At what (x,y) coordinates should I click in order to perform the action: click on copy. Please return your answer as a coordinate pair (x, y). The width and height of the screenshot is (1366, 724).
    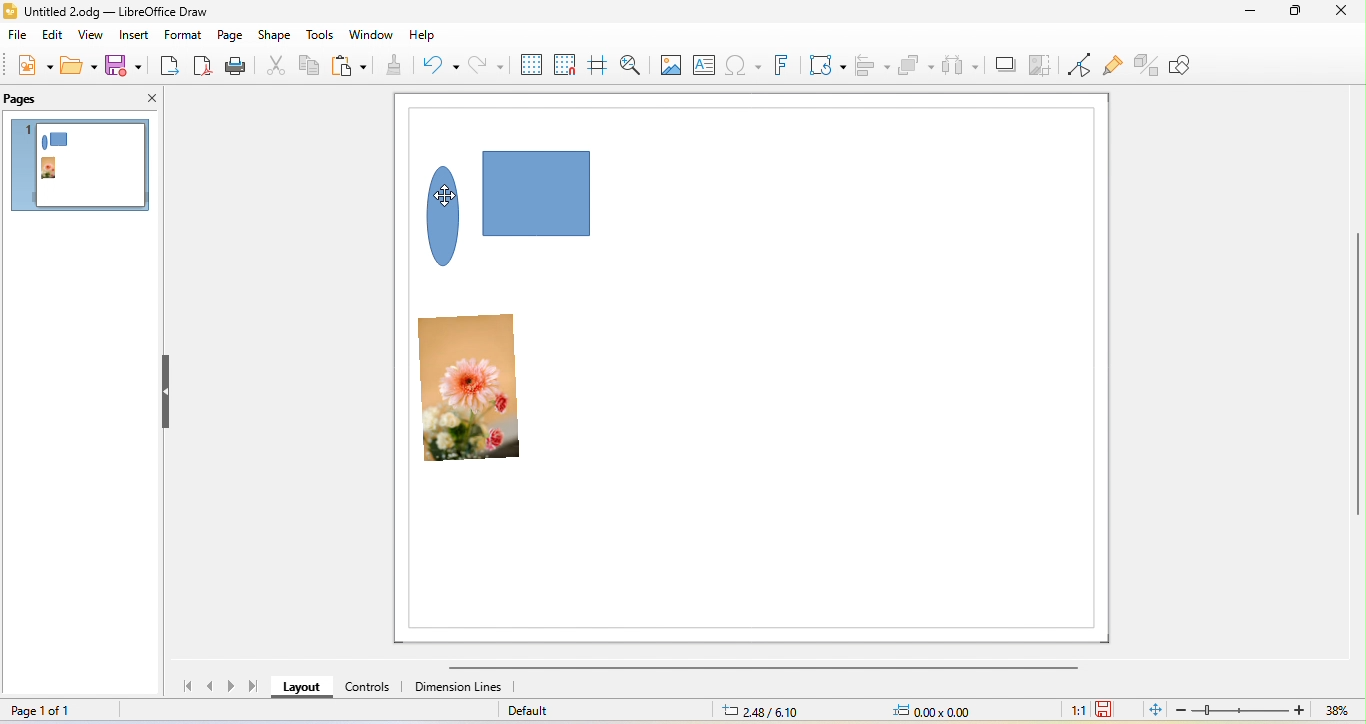
    Looking at the image, I should click on (310, 67).